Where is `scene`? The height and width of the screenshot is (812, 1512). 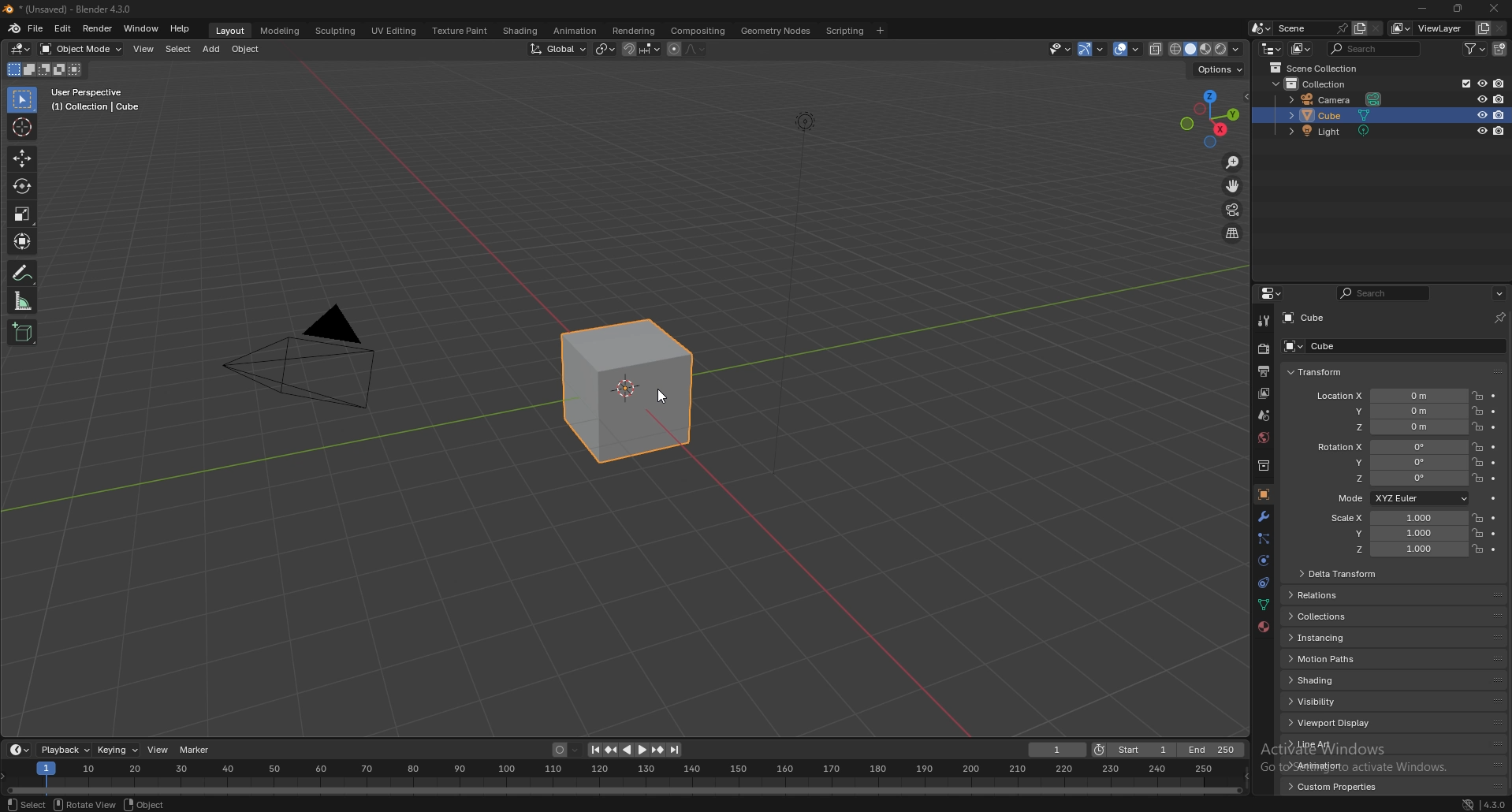
scene is located at coordinates (1264, 415).